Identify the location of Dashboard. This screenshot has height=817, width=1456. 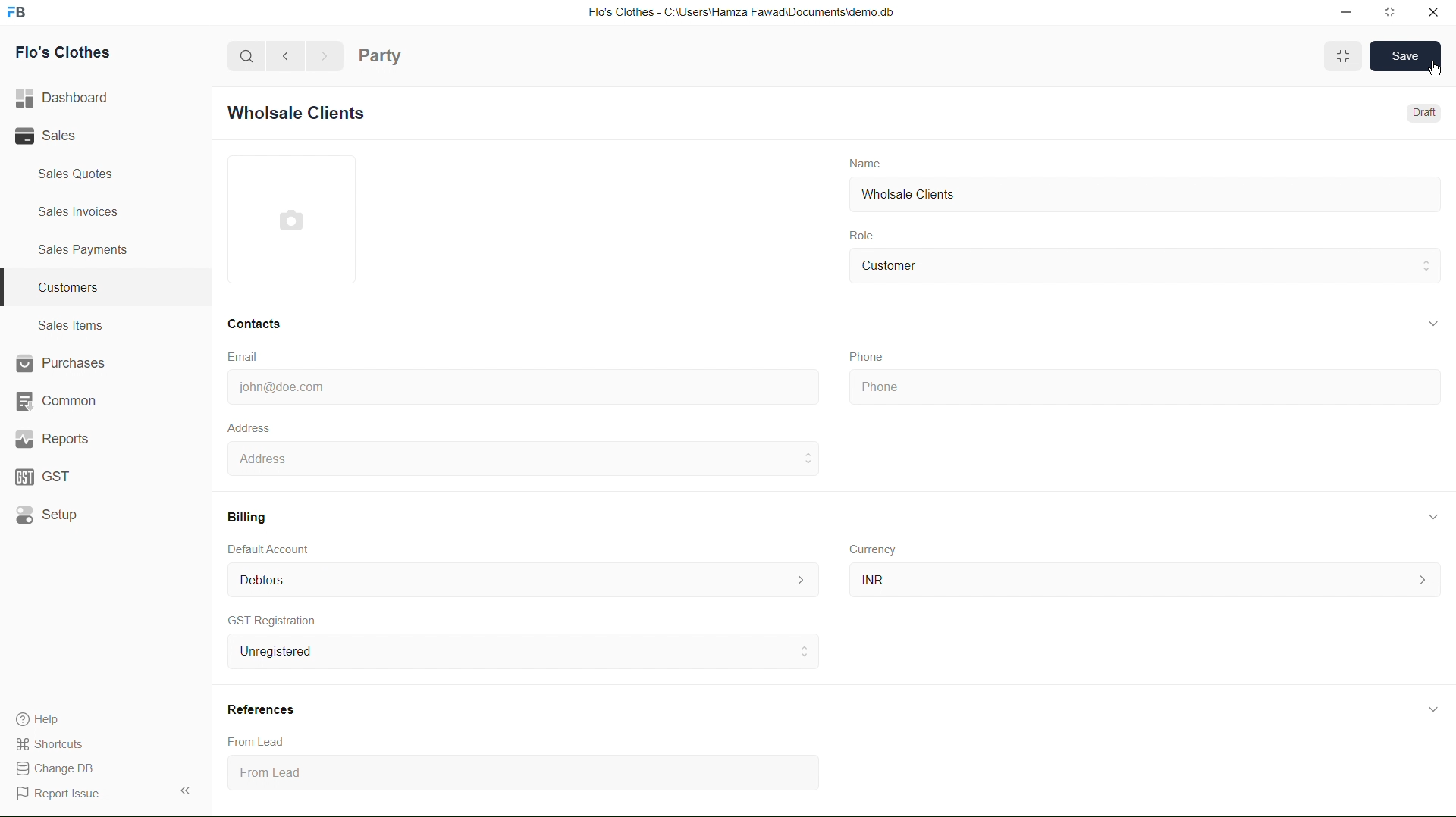
(67, 95).